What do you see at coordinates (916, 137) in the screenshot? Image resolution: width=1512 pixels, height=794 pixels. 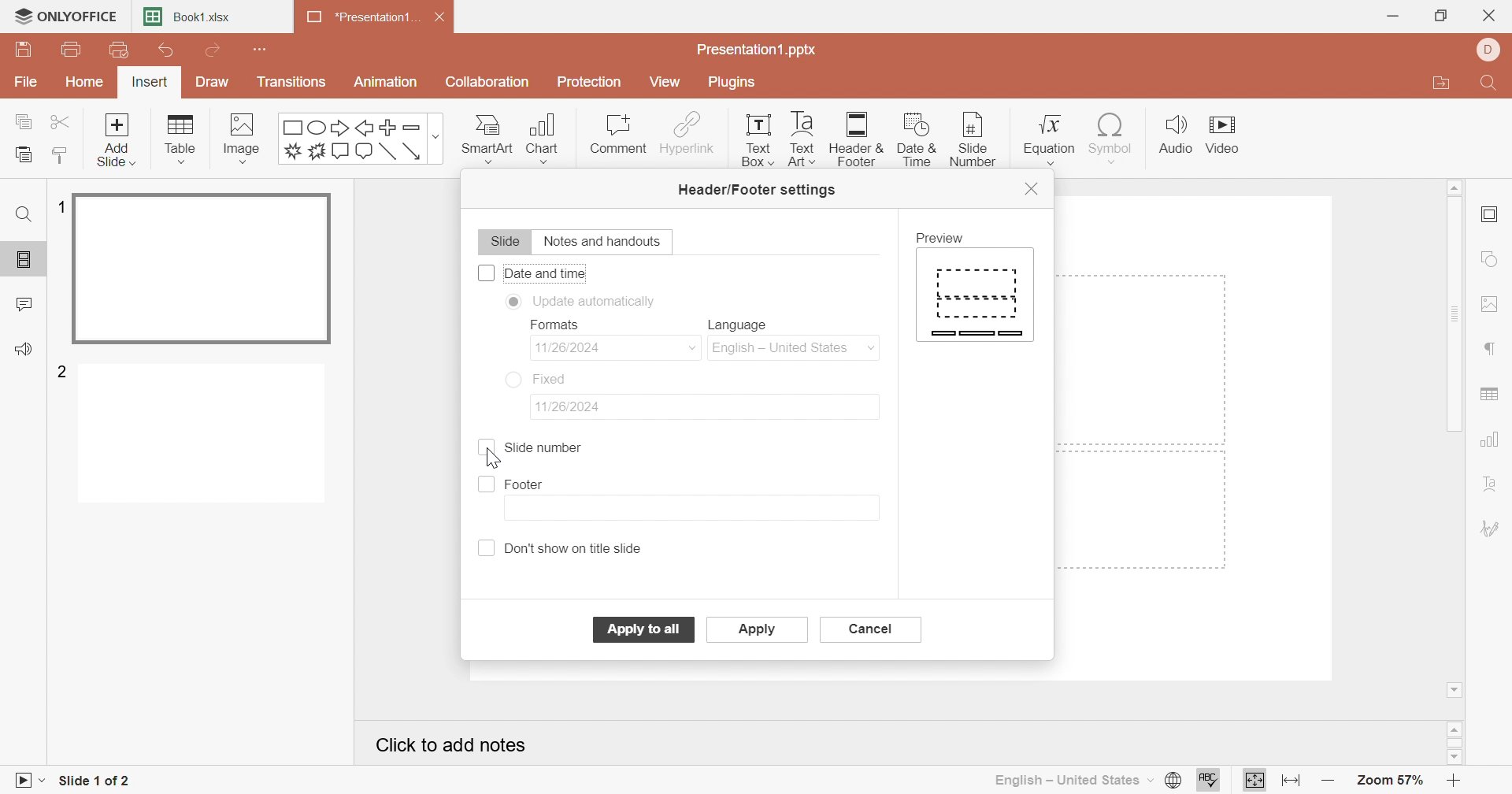 I see `` at bounding box center [916, 137].